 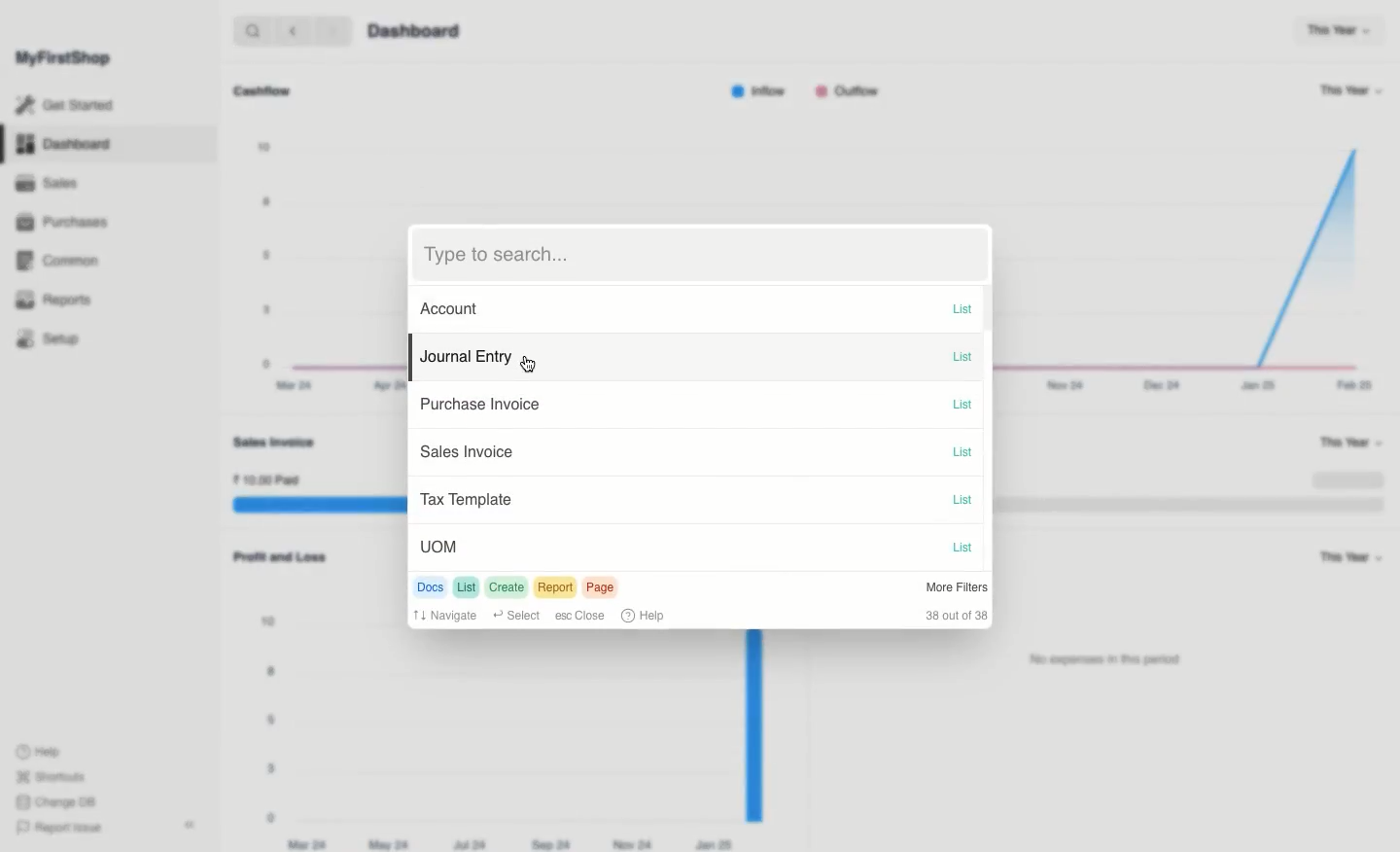 What do you see at coordinates (66, 106) in the screenshot?
I see `Get Started` at bounding box center [66, 106].